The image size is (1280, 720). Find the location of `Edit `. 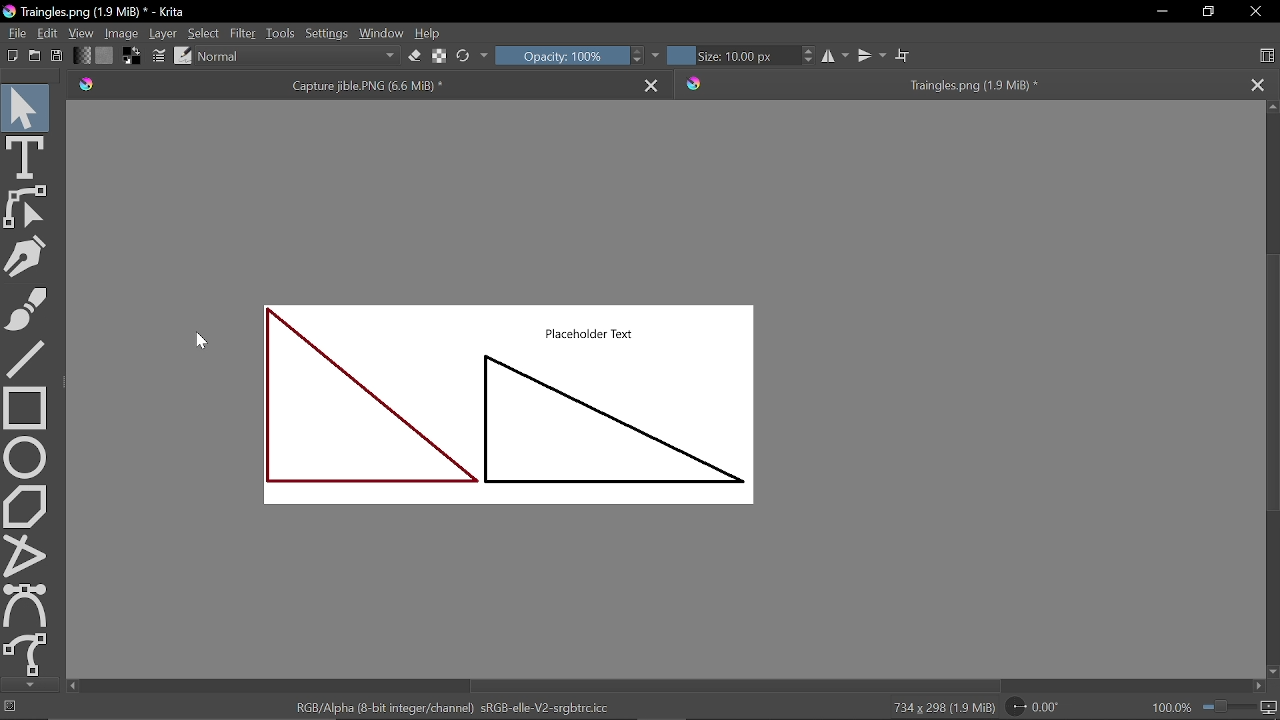

Edit  is located at coordinates (50, 34).